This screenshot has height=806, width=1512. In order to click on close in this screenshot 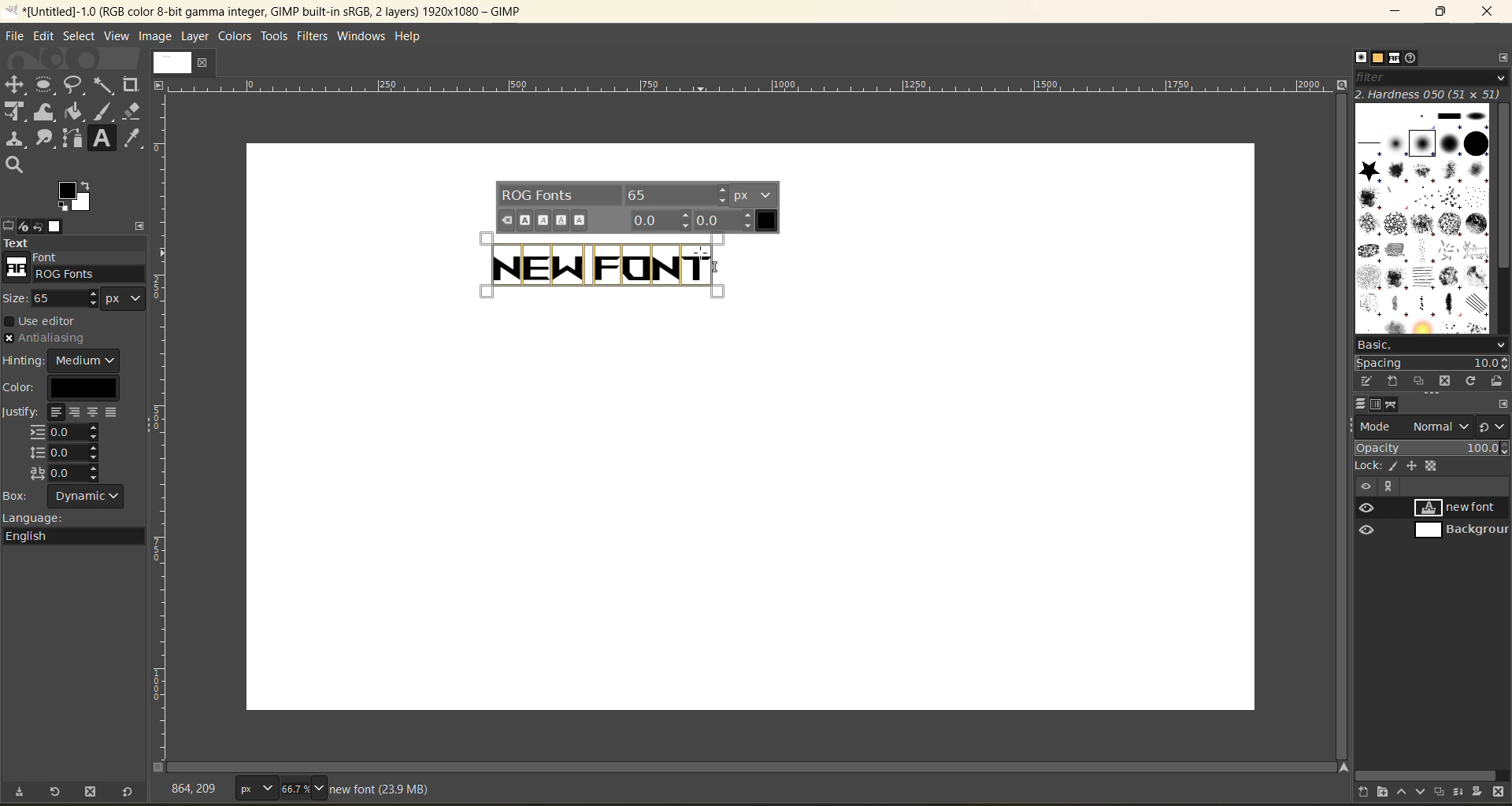, I will do `click(1489, 12)`.